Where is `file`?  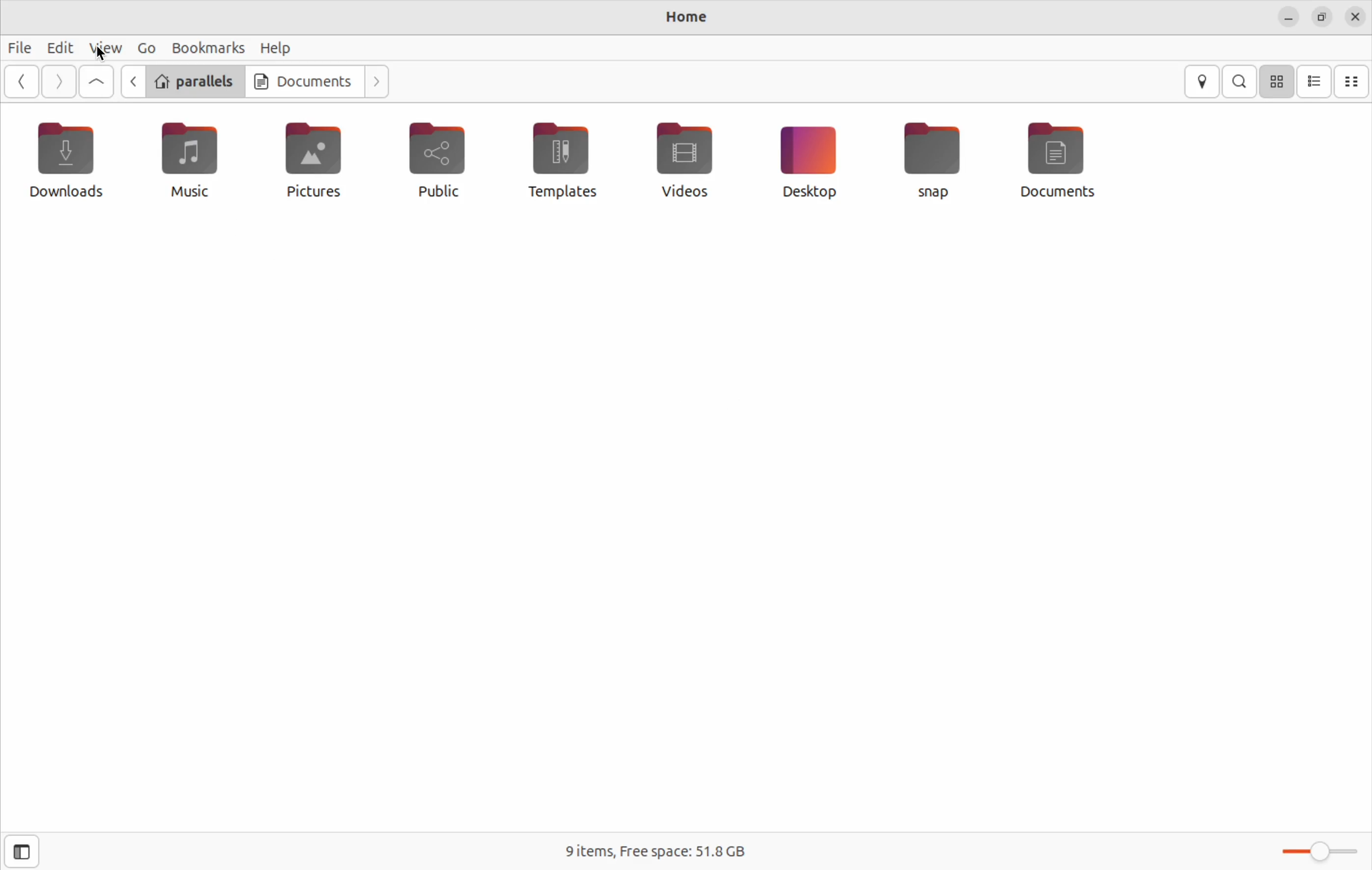 file is located at coordinates (21, 47).